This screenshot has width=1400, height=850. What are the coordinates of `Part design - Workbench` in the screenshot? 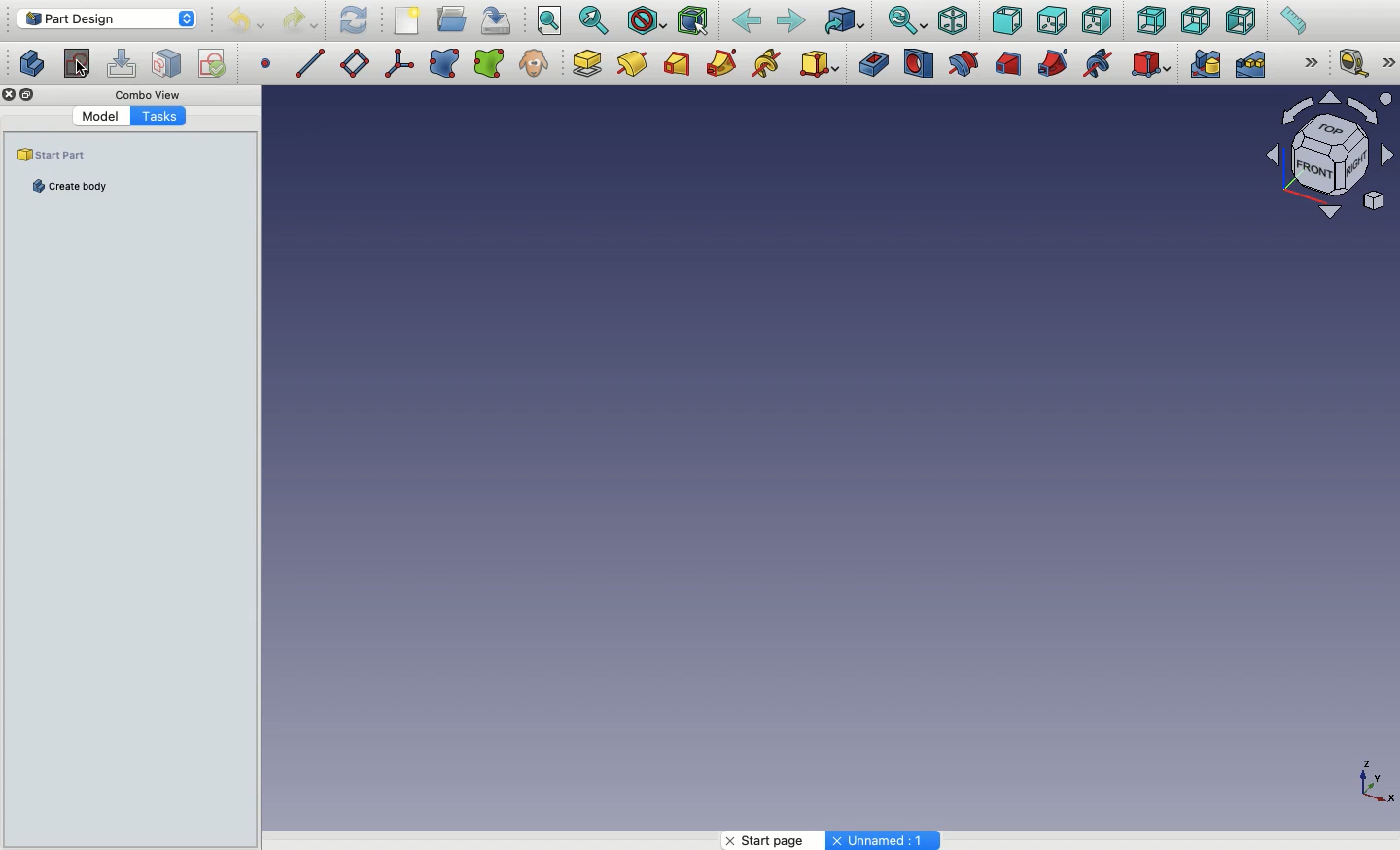 It's located at (106, 18).